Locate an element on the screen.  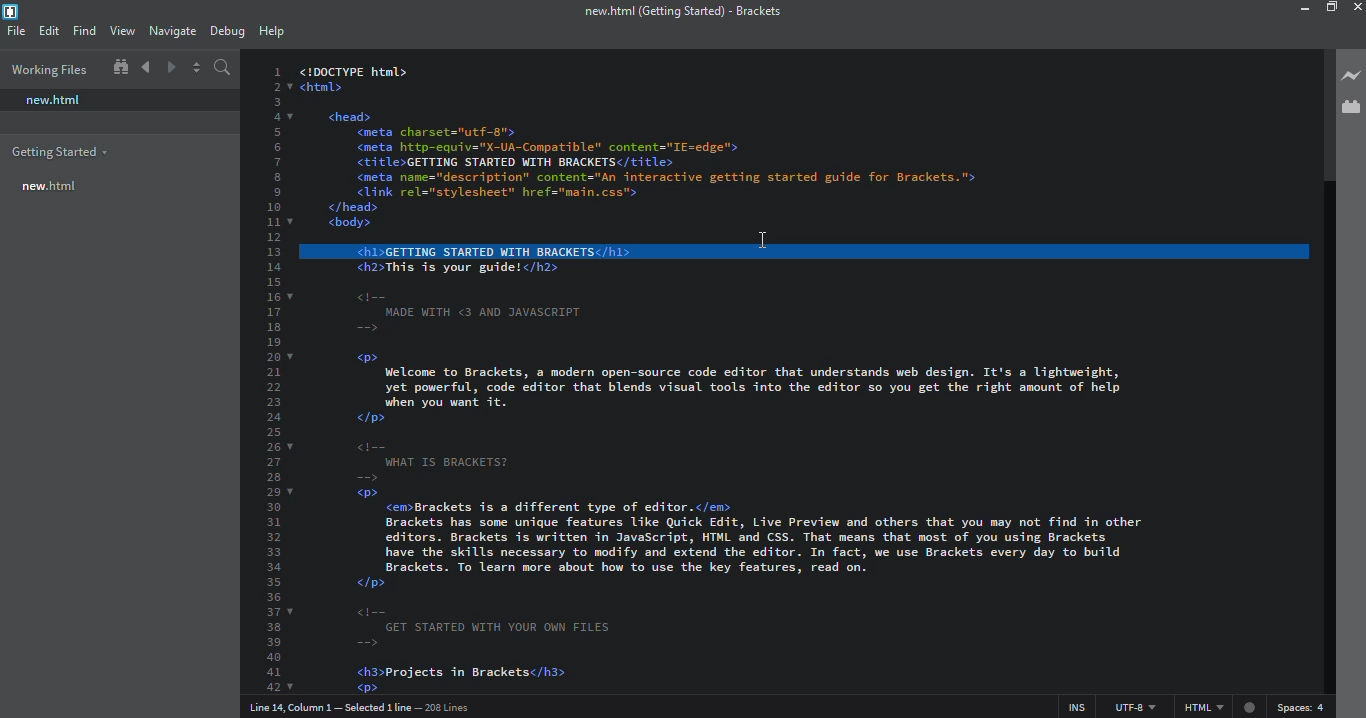
line number is located at coordinates (269, 377).